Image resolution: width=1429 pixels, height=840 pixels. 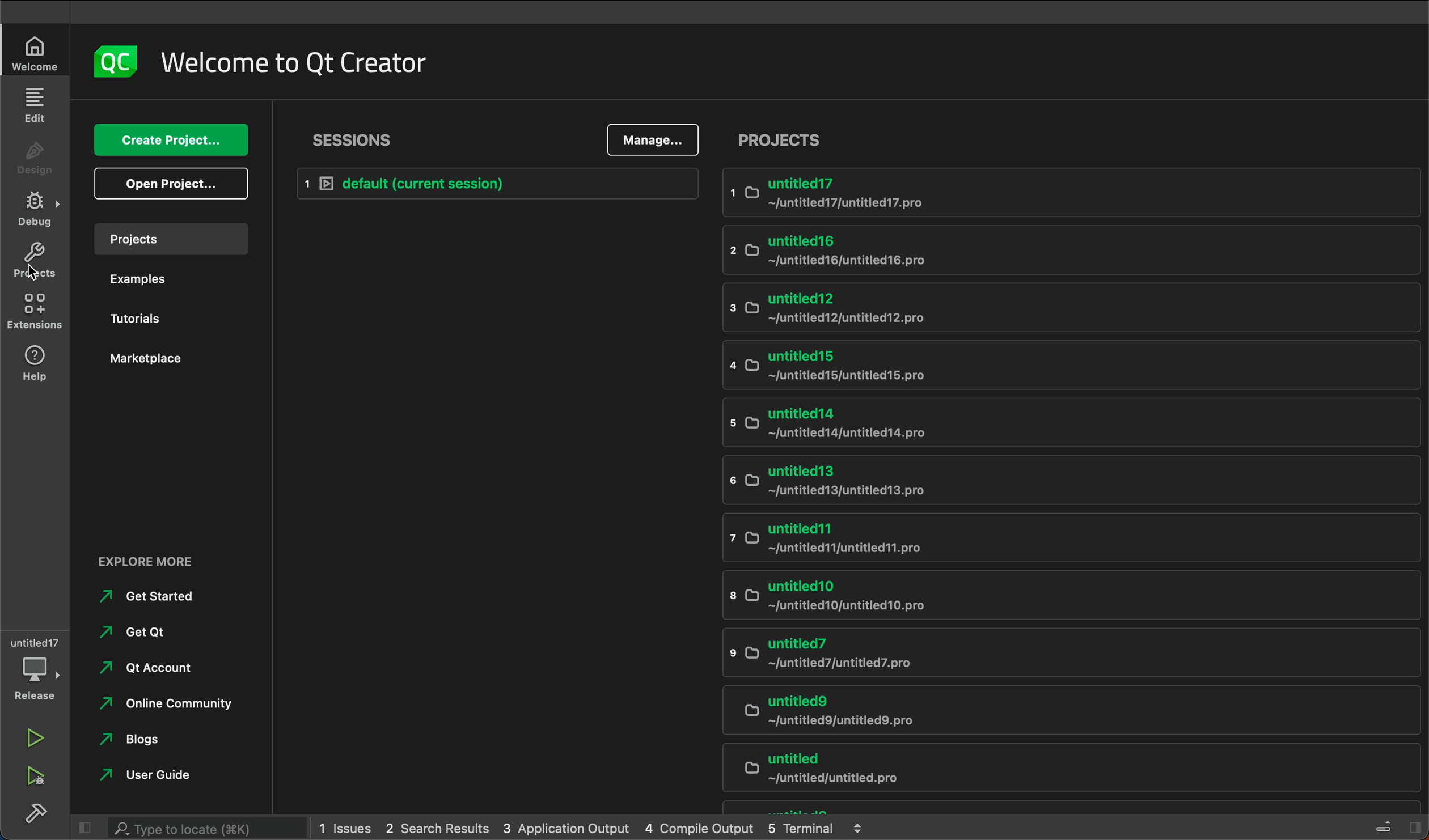 I want to click on untitled, so click(x=891, y=767).